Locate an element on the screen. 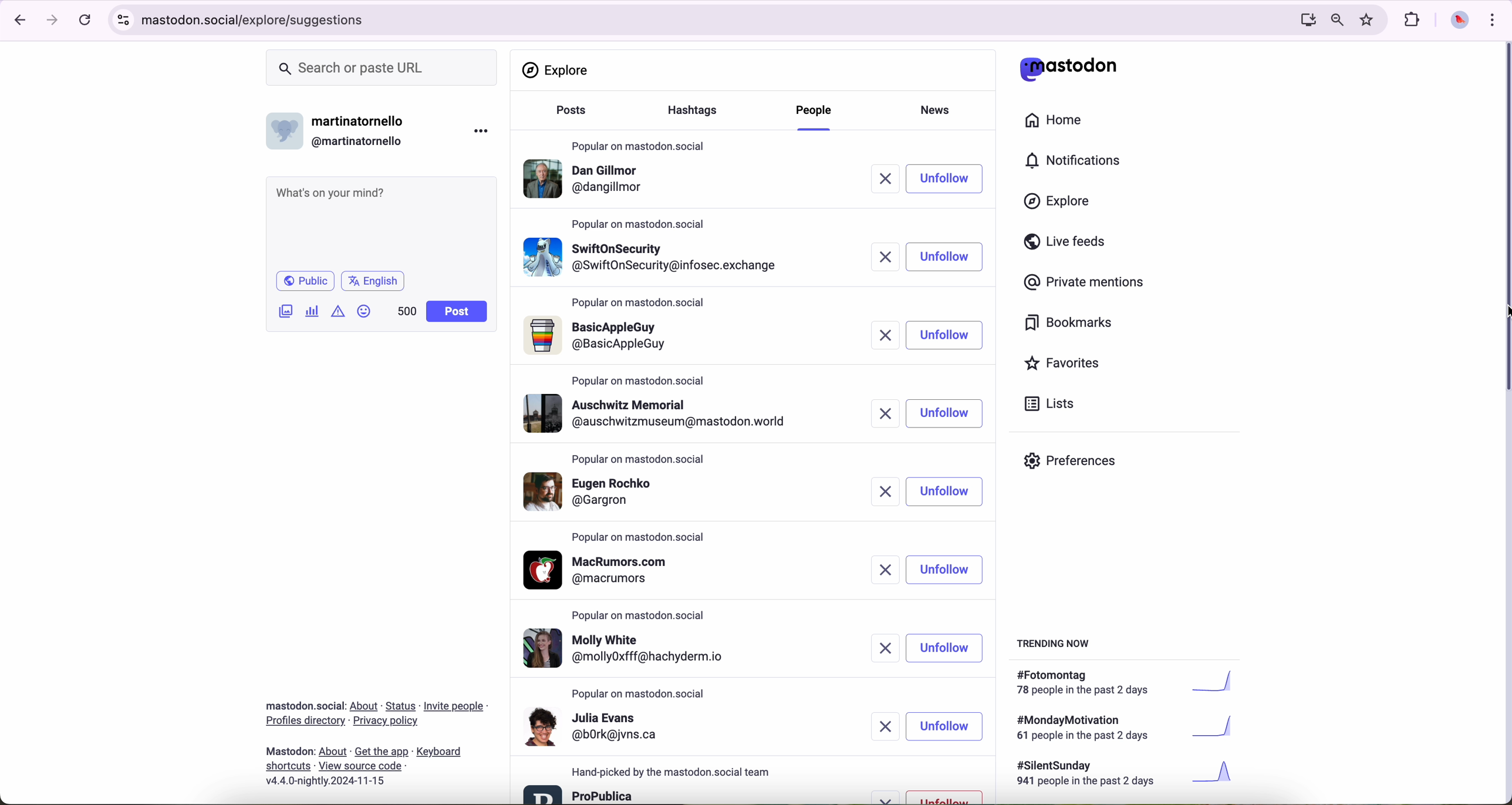 The image size is (1512, 805). popular on mastodon.social is located at coordinates (644, 613).